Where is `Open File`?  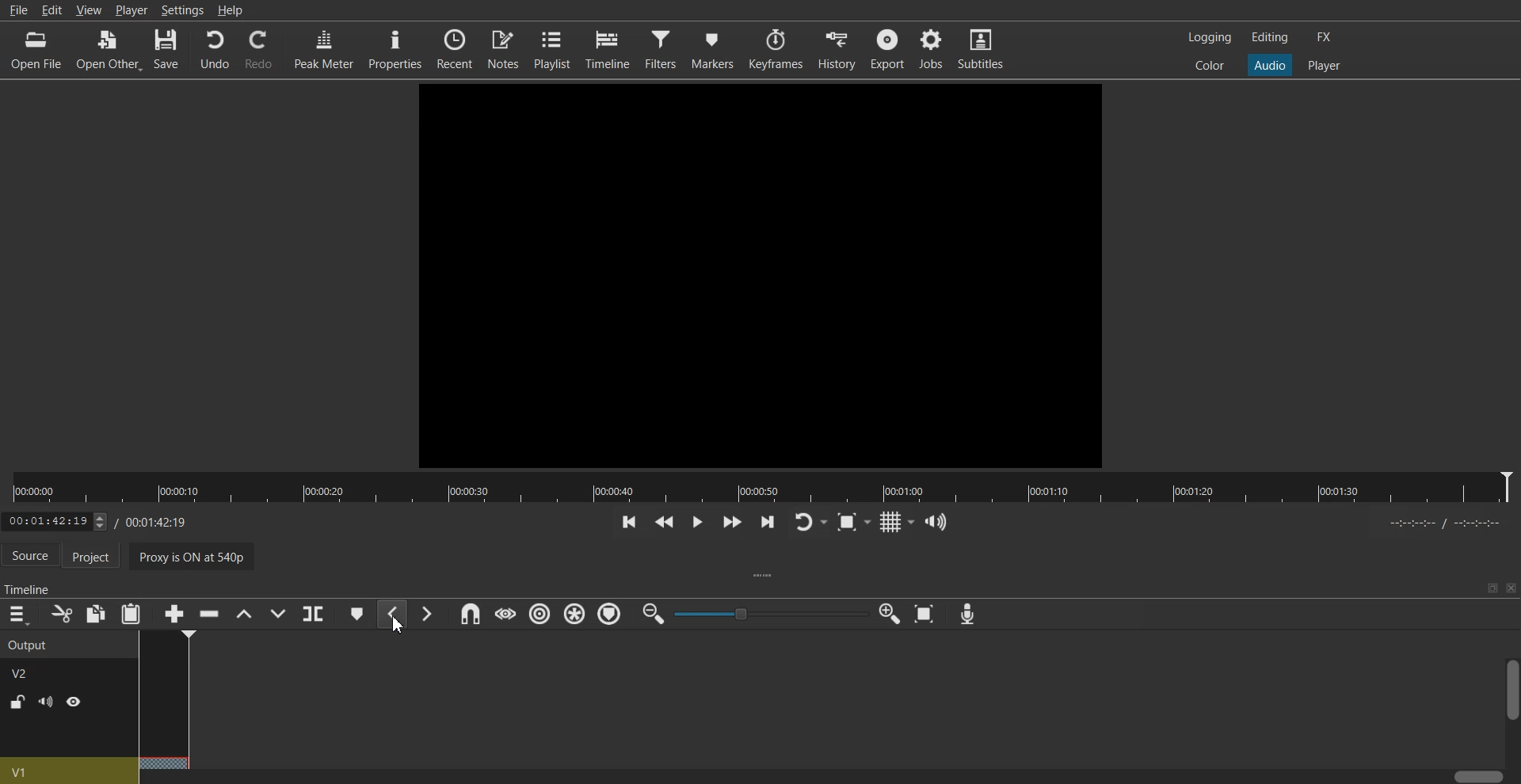
Open File is located at coordinates (37, 48).